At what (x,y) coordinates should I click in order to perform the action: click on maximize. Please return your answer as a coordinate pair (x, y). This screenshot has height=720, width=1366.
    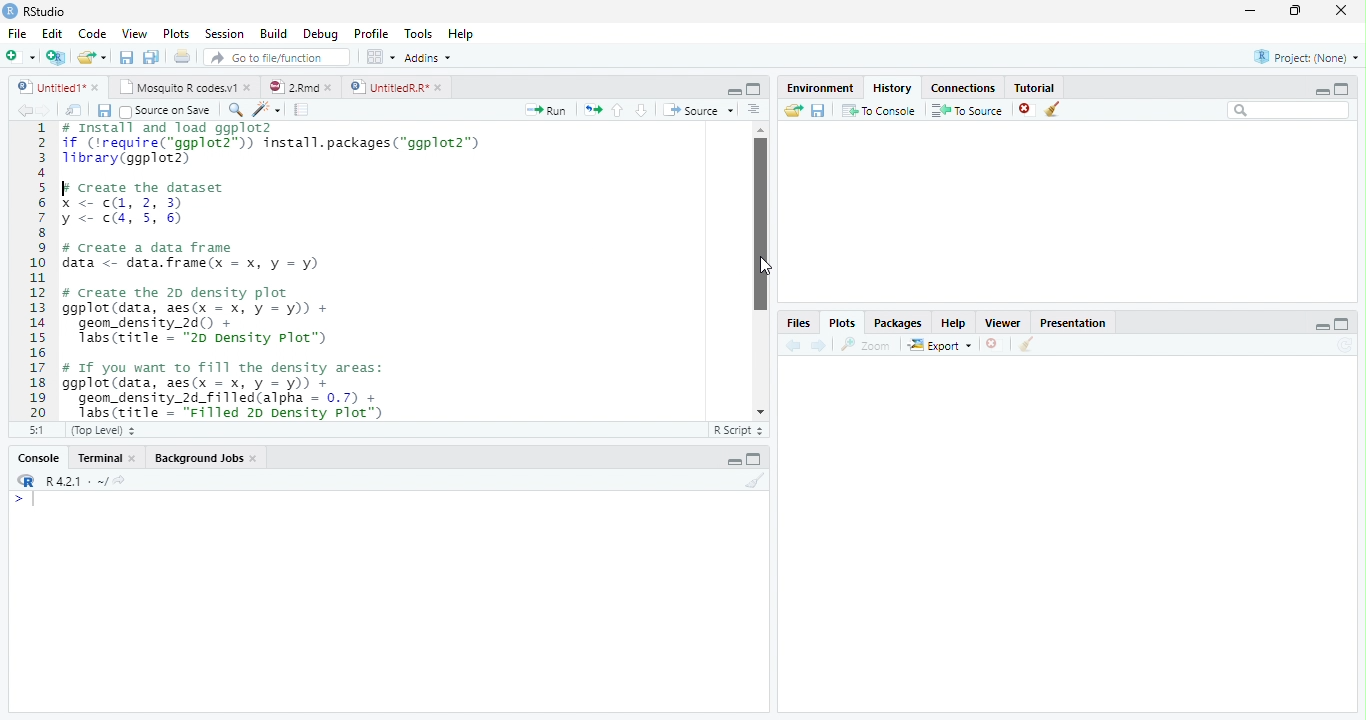
    Looking at the image, I should click on (756, 459).